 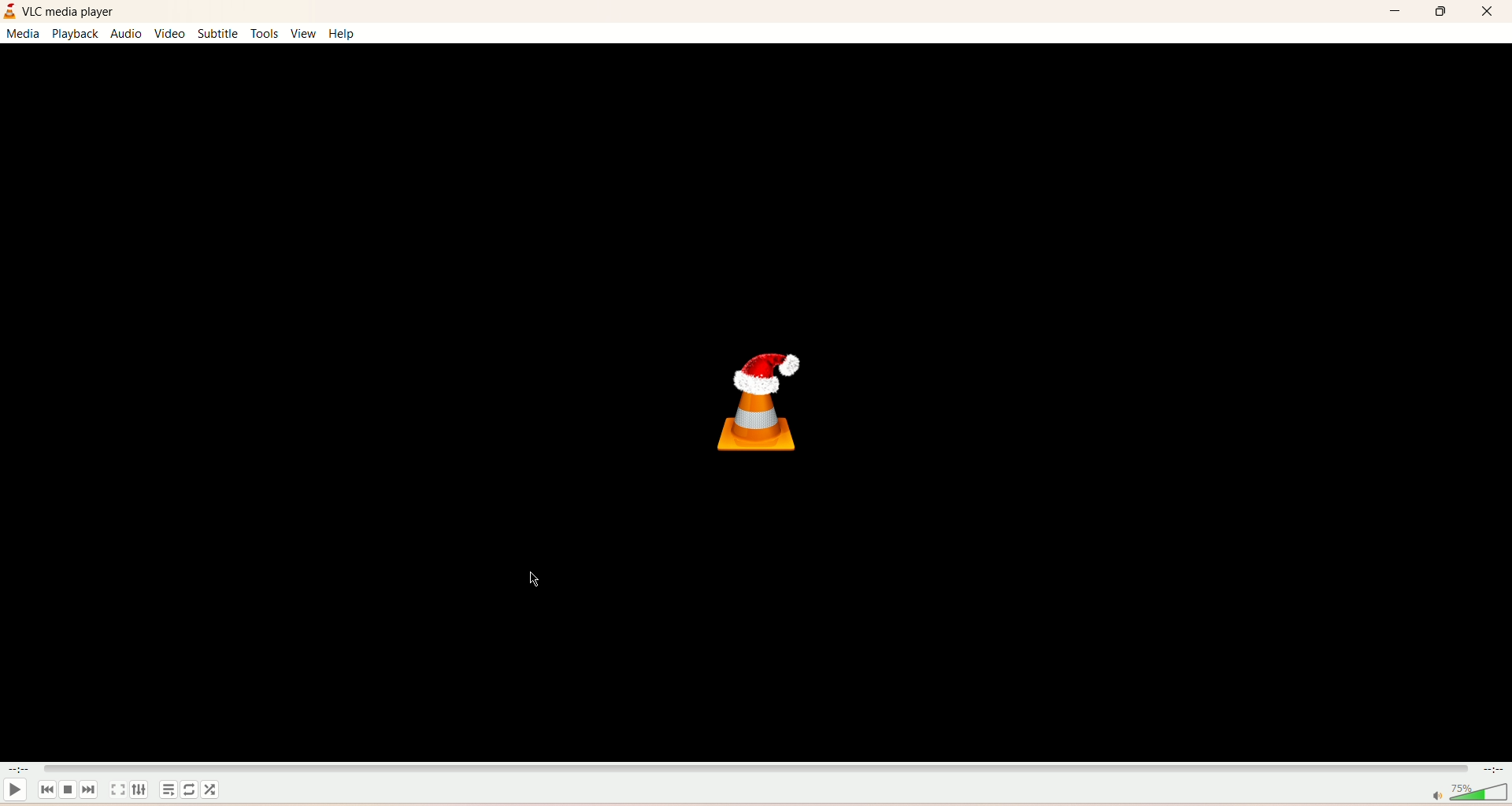 I want to click on audio, so click(x=128, y=34).